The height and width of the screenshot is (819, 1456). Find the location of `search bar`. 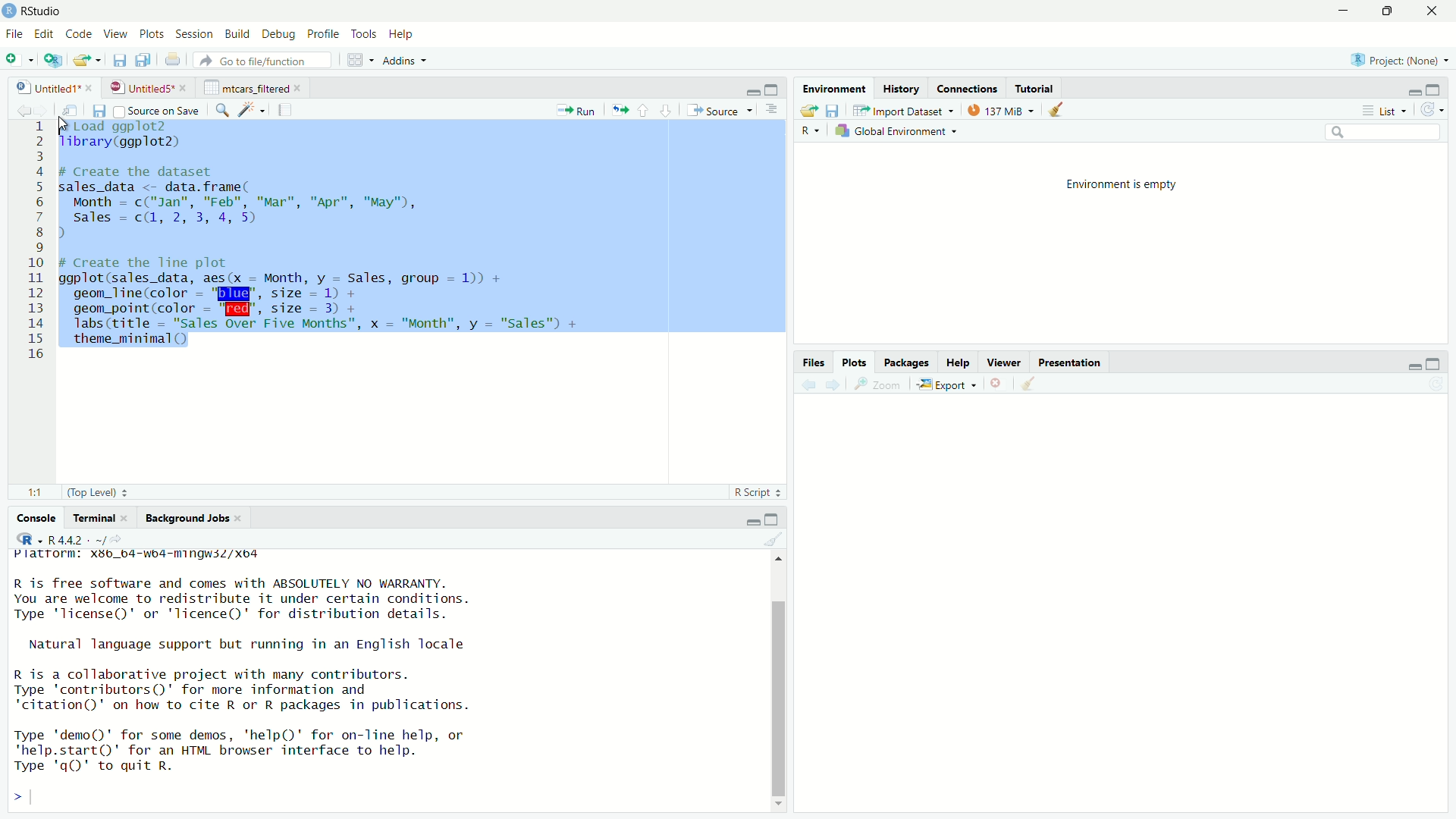

search bar is located at coordinates (1382, 131).